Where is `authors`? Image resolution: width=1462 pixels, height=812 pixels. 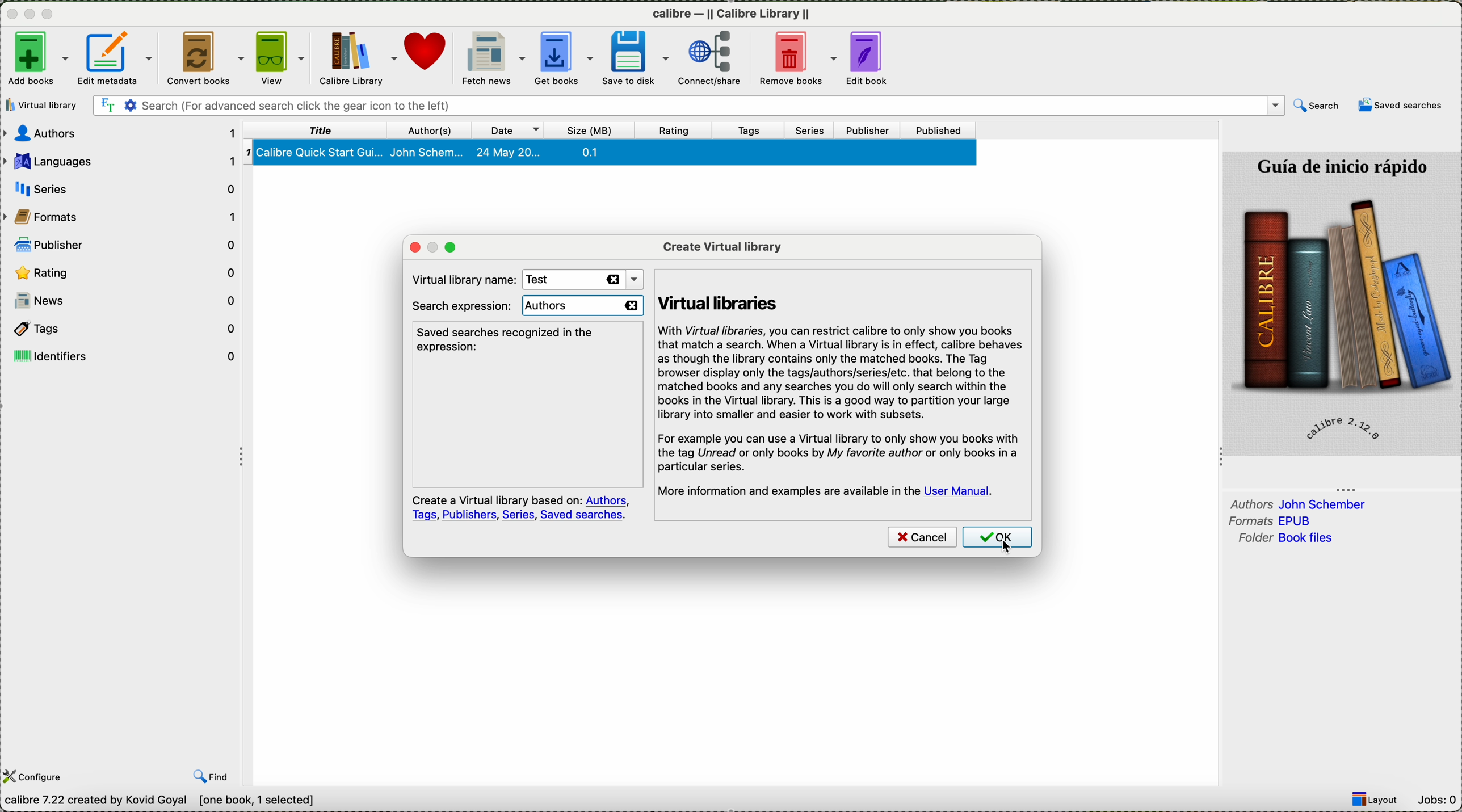 authors is located at coordinates (584, 306).